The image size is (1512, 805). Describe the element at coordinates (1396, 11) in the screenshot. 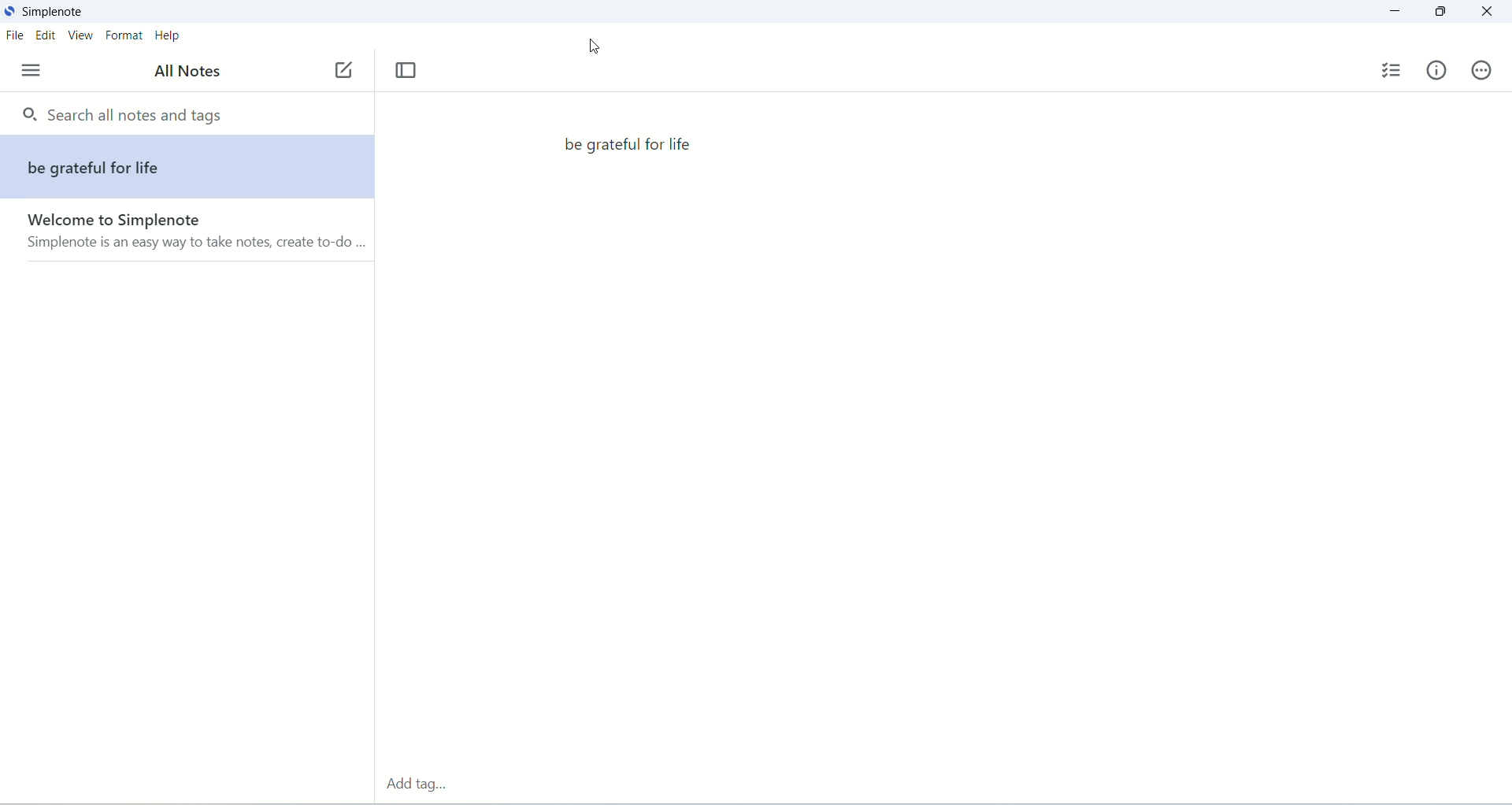

I see `minimize` at that location.